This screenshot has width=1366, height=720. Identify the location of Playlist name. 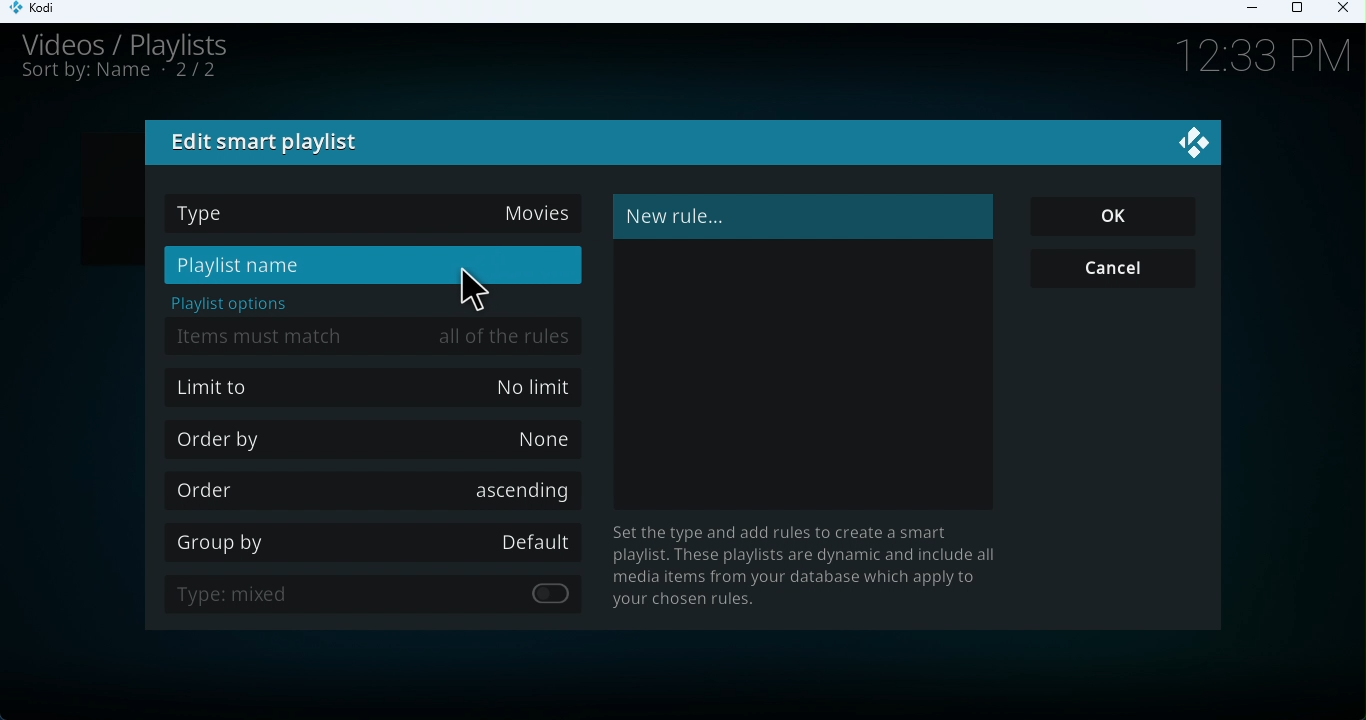
(372, 266).